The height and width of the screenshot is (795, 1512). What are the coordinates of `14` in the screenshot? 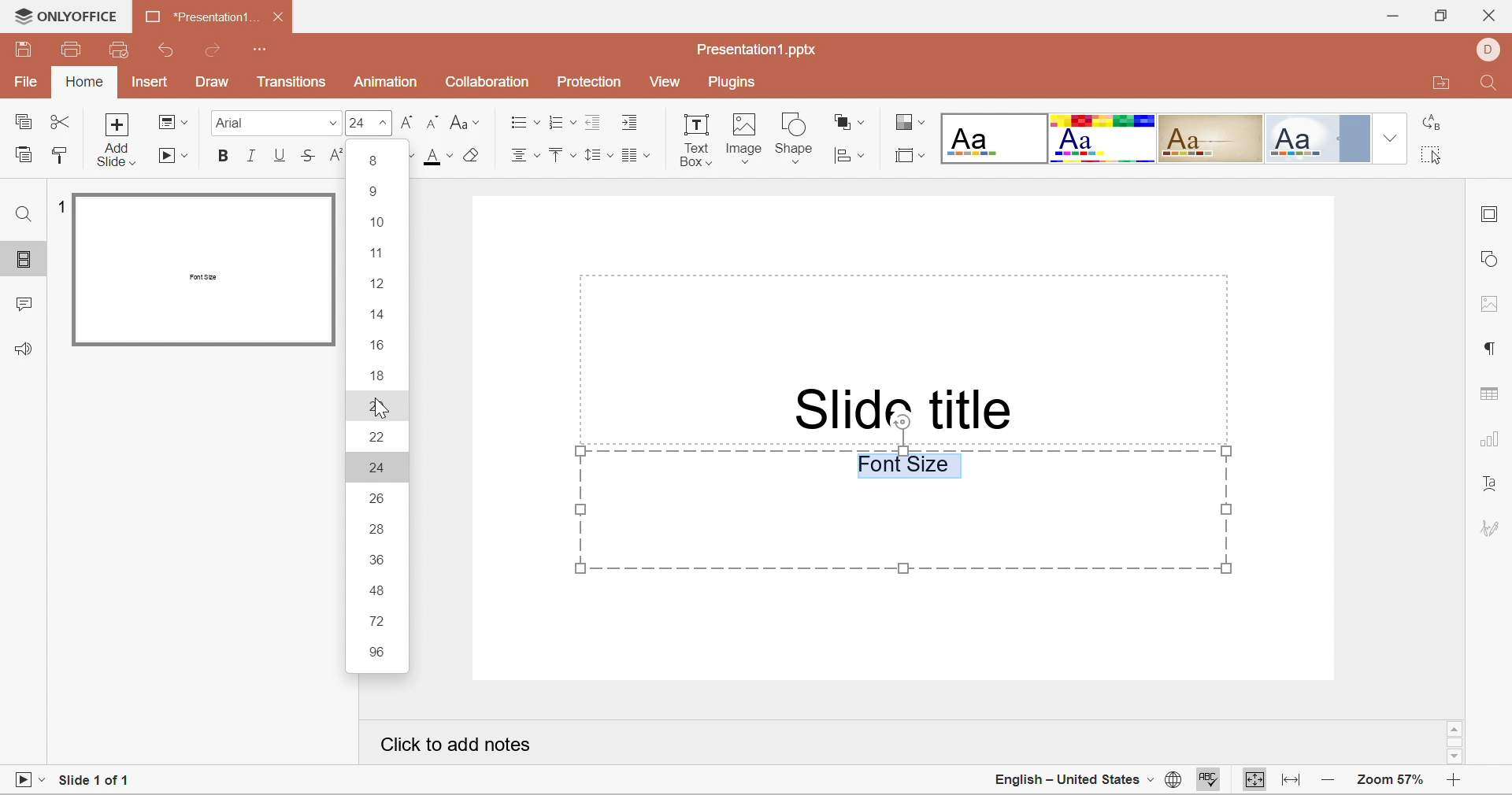 It's located at (379, 314).